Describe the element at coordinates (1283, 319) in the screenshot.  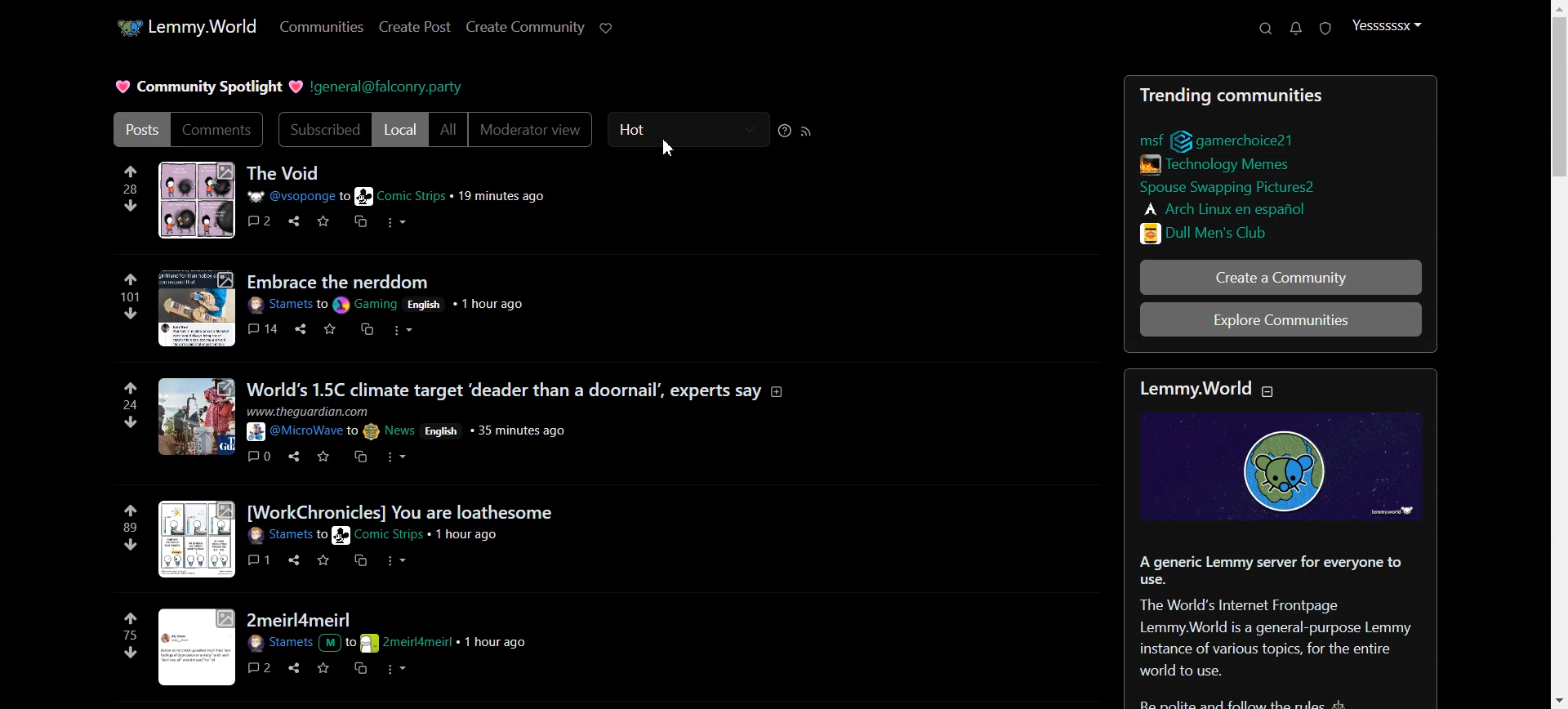
I see `Explore Community` at that location.